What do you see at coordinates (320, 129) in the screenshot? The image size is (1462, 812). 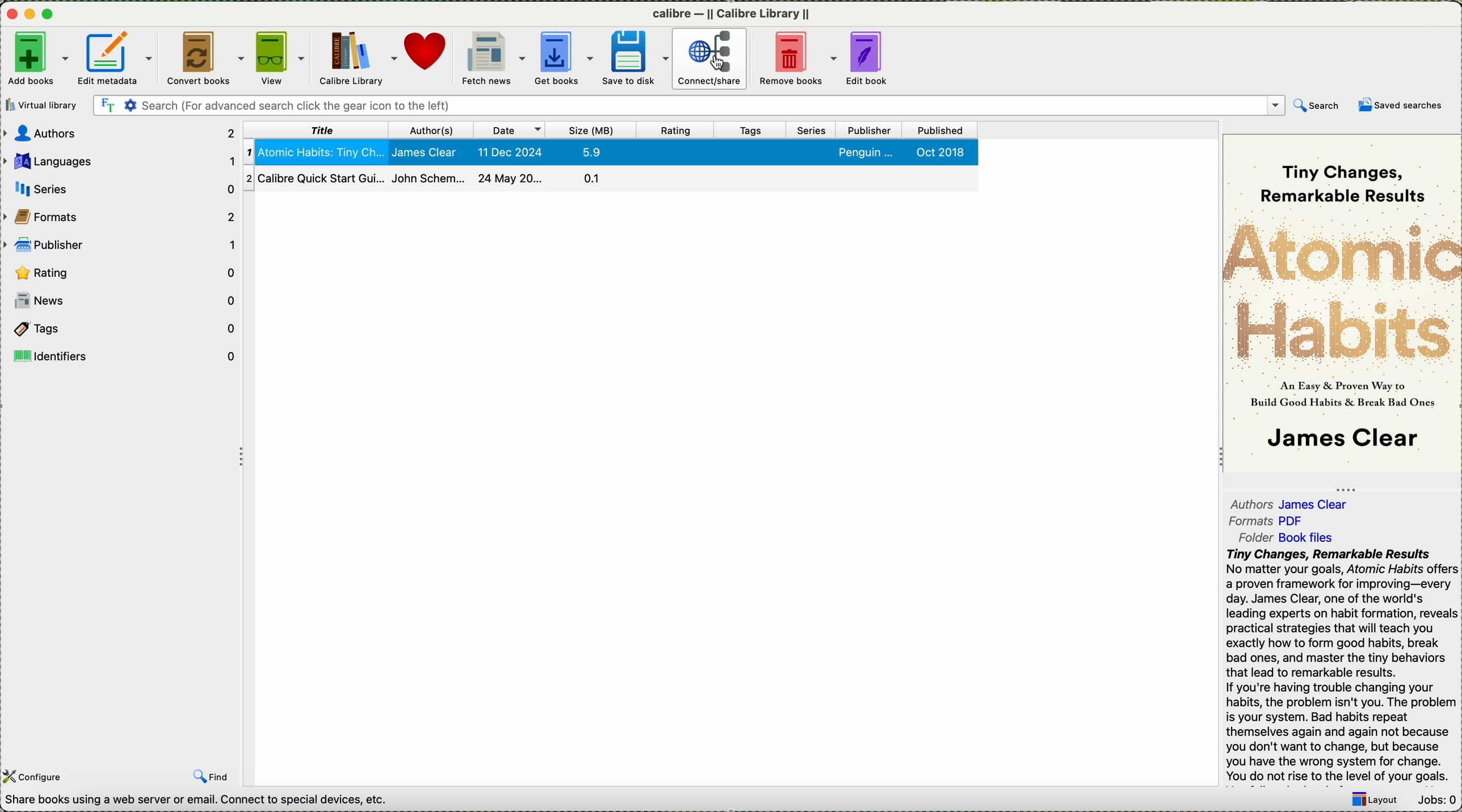 I see `title` at bounding box center [320, 129].